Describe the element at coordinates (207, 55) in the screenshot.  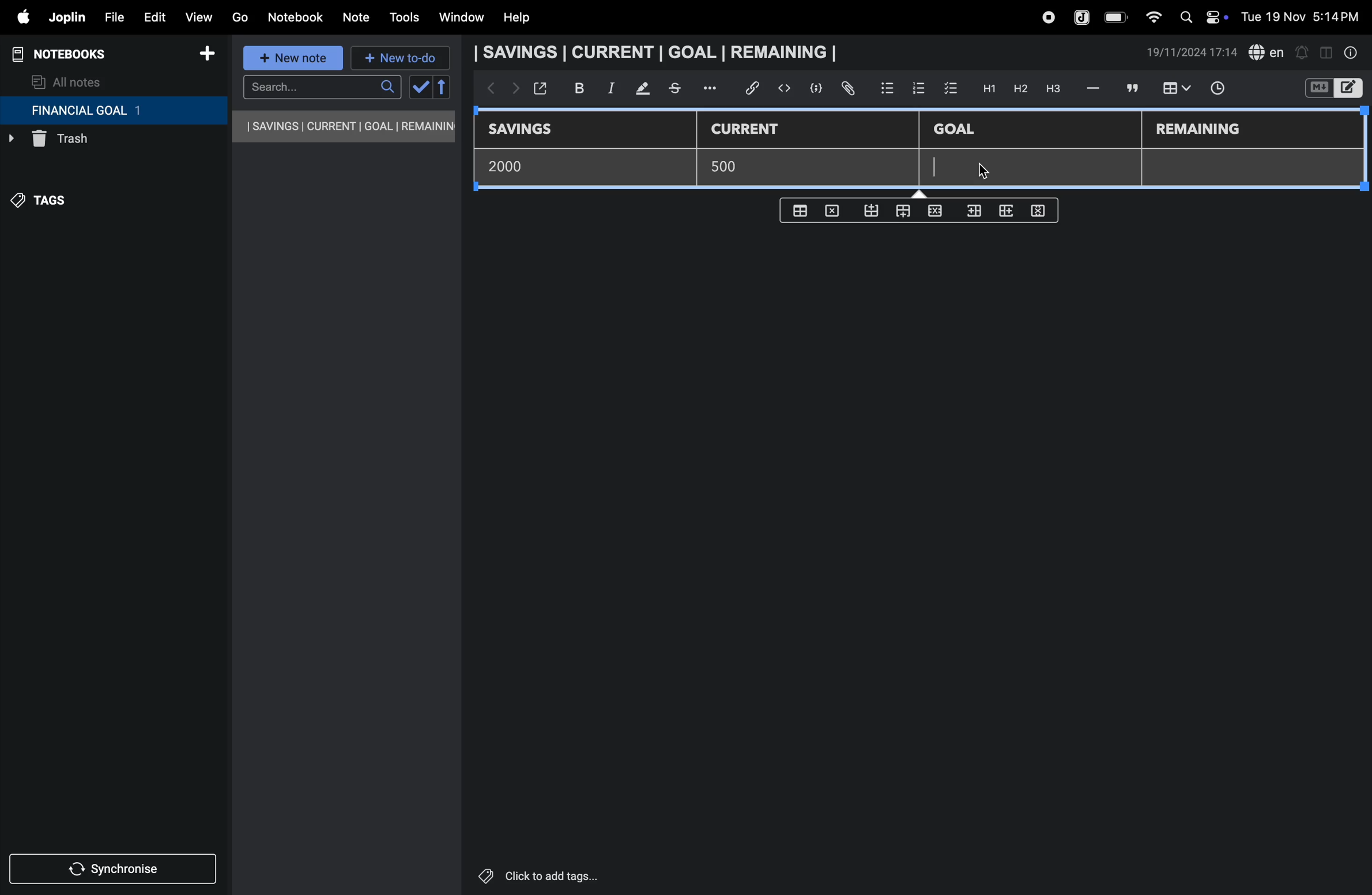
I see `add` at that location.